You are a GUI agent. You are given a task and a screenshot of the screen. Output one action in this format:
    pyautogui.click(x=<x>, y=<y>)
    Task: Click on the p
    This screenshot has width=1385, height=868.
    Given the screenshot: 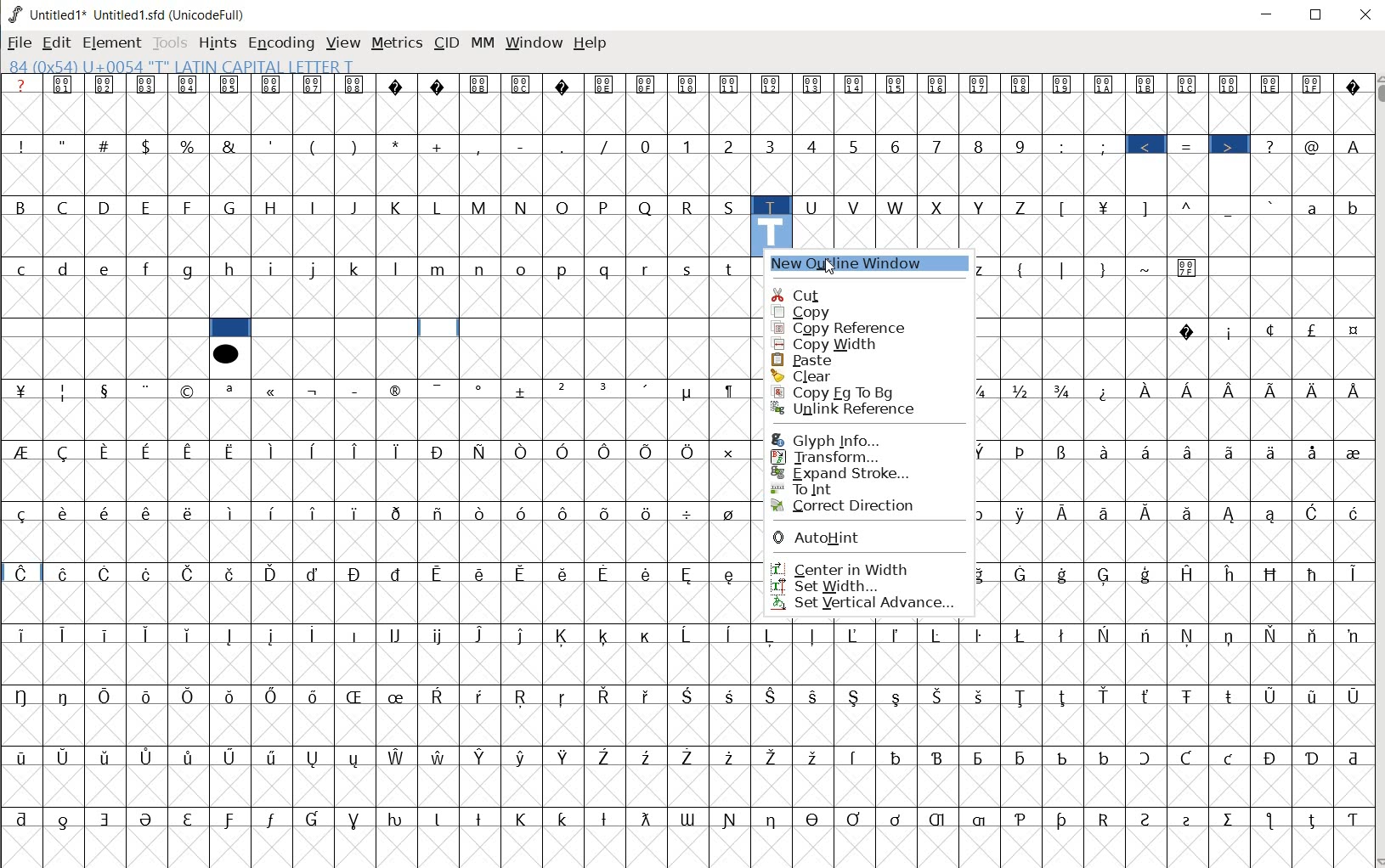 What is the action you would take?
    pyautogui.click(x=565, y=269)
    